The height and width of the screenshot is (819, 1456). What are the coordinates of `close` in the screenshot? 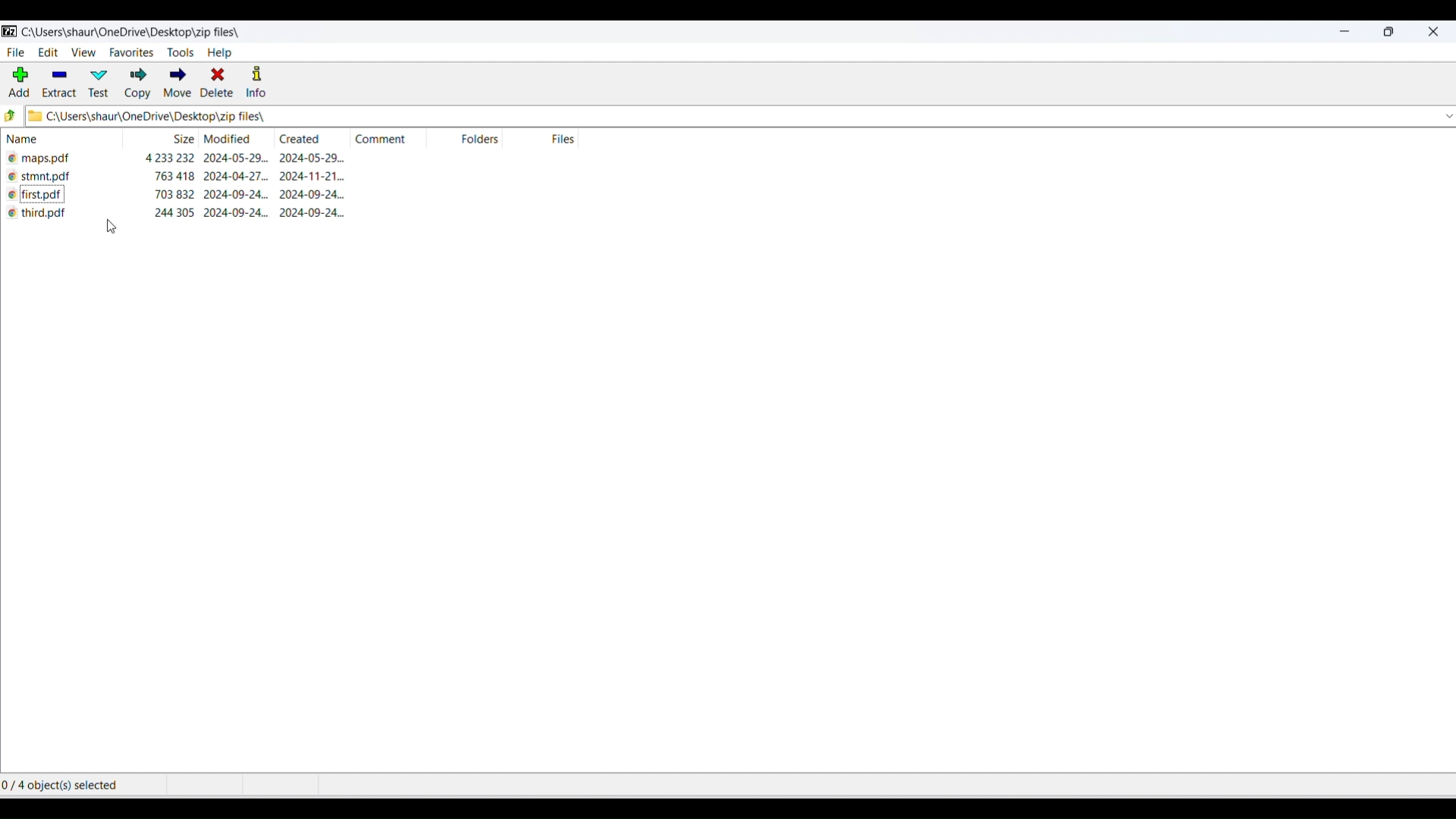 It's located at (1434, 34).